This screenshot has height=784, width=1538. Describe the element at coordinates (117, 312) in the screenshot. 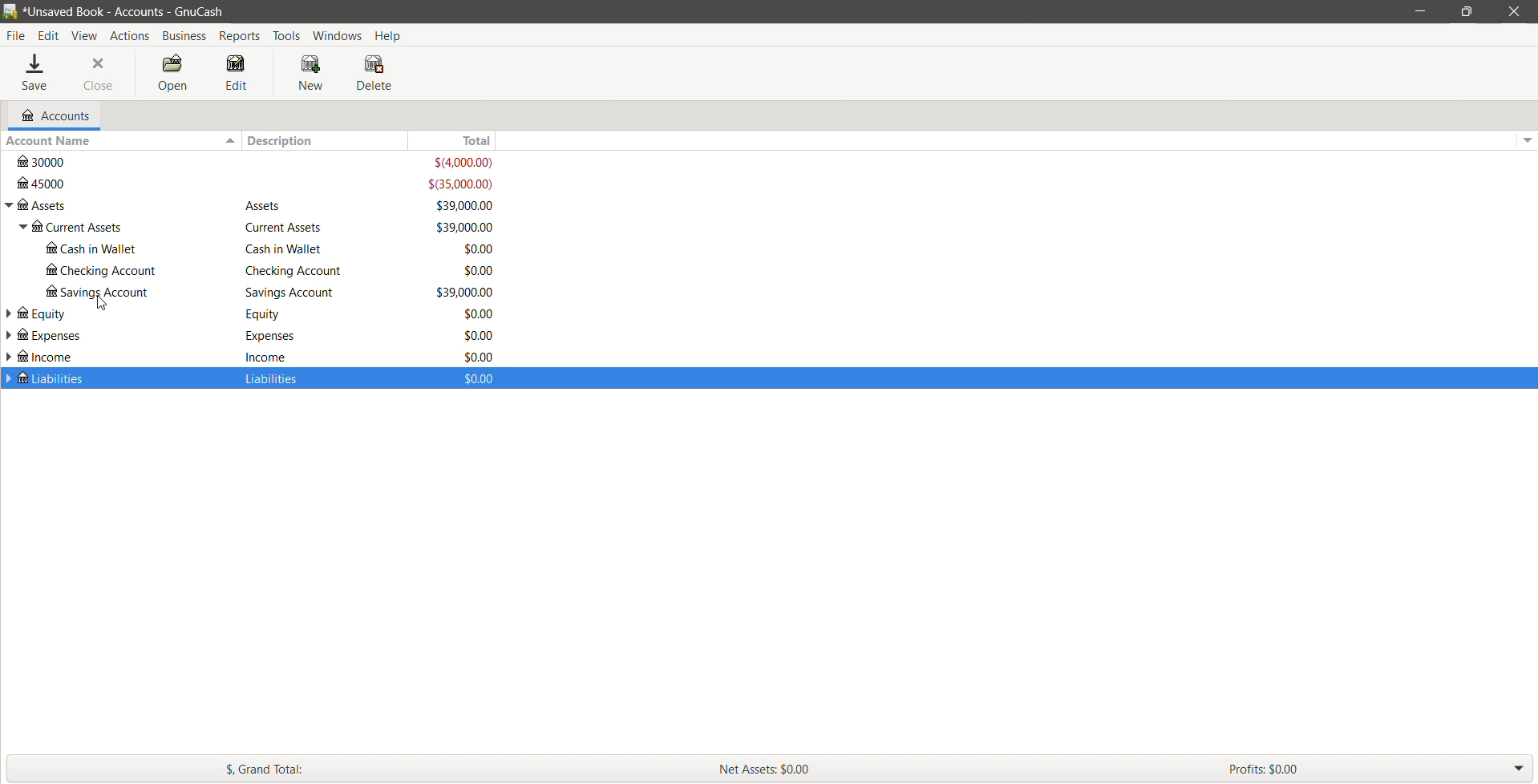

I see `Equity` at that location.